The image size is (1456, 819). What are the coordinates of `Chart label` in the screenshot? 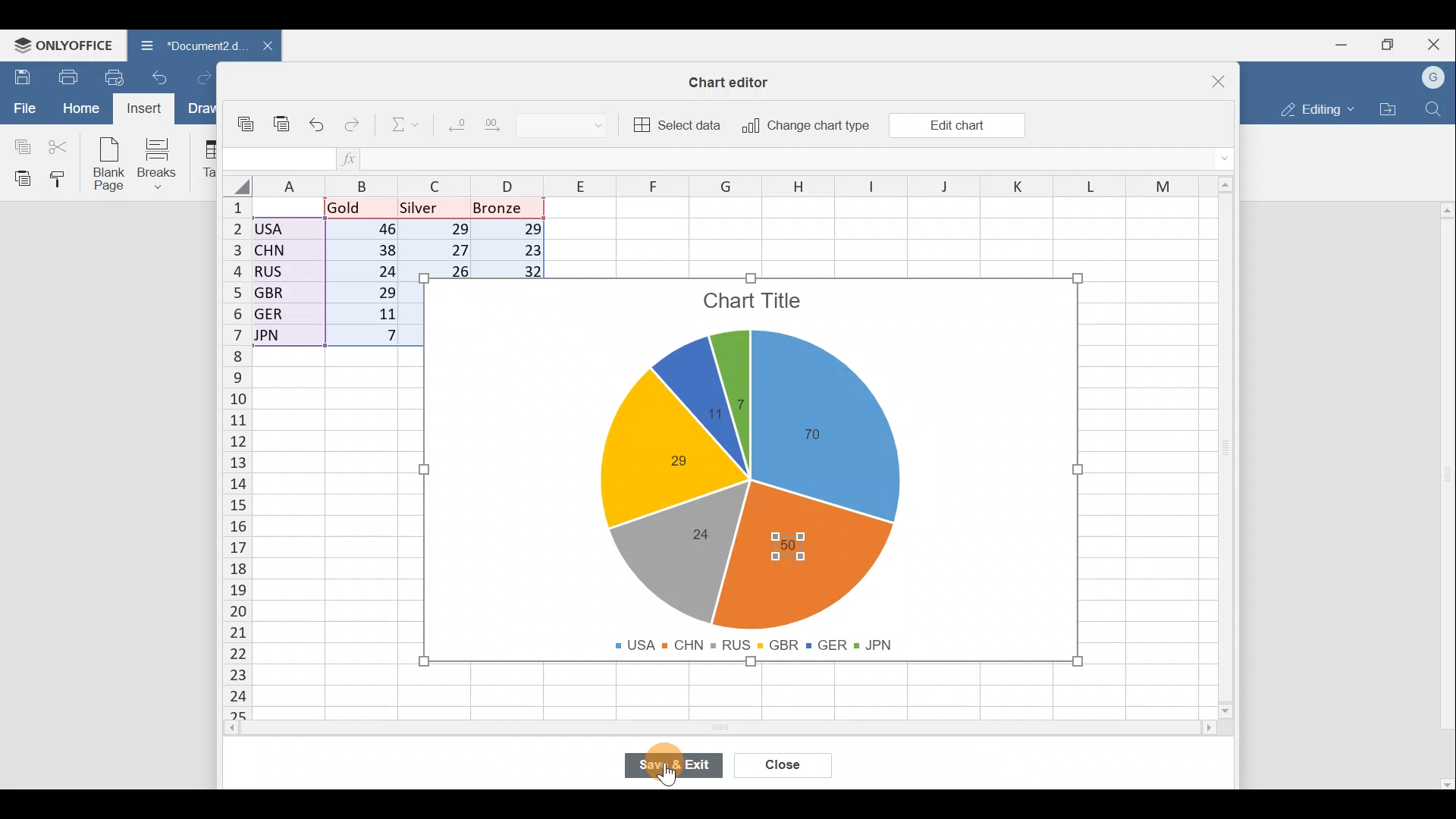 It's located at (740, 395).